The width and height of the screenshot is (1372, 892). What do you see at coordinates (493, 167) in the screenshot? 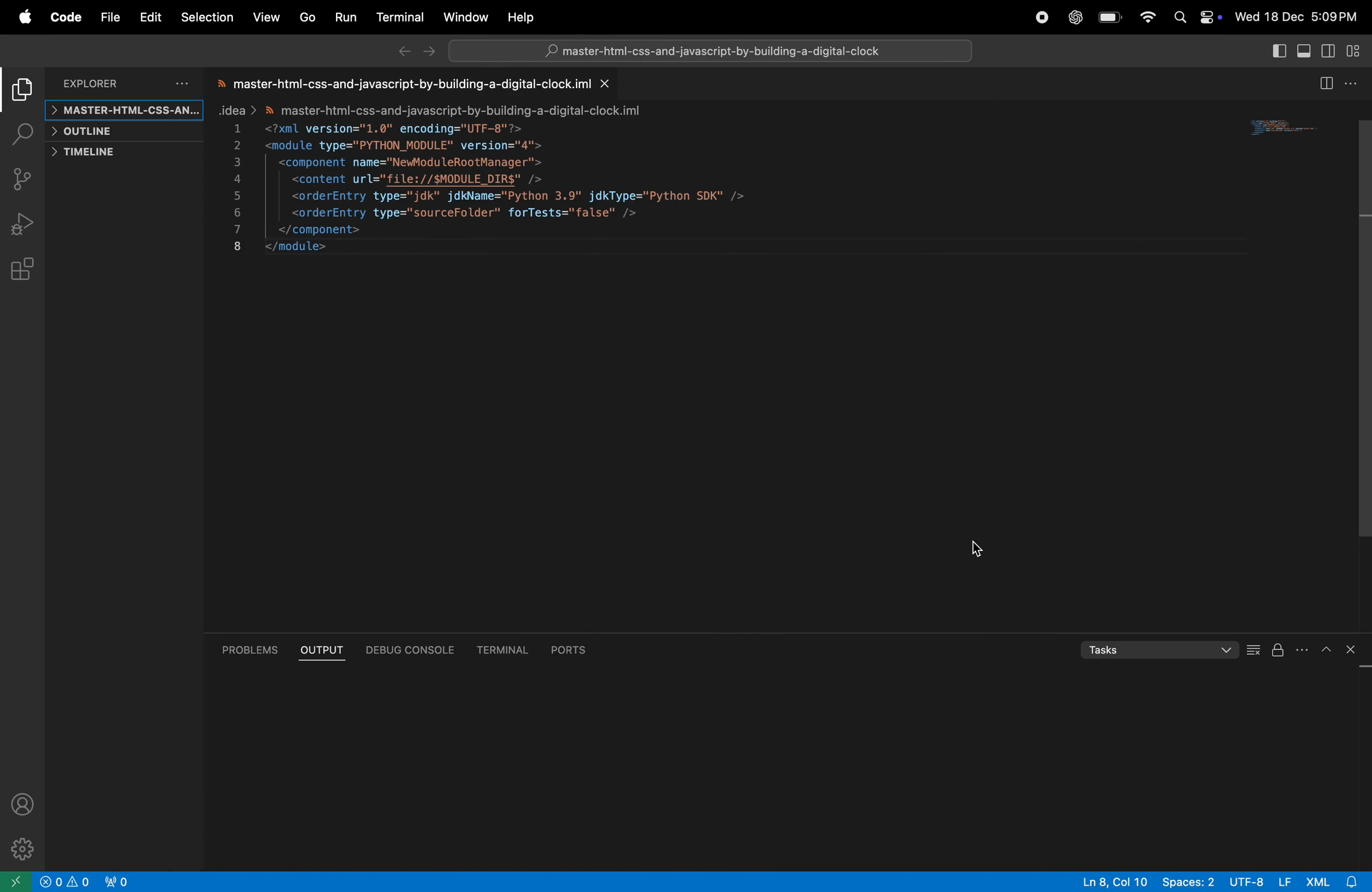
I see `code block about master file of a clock web based written in html` at bounding box center [493, 167].